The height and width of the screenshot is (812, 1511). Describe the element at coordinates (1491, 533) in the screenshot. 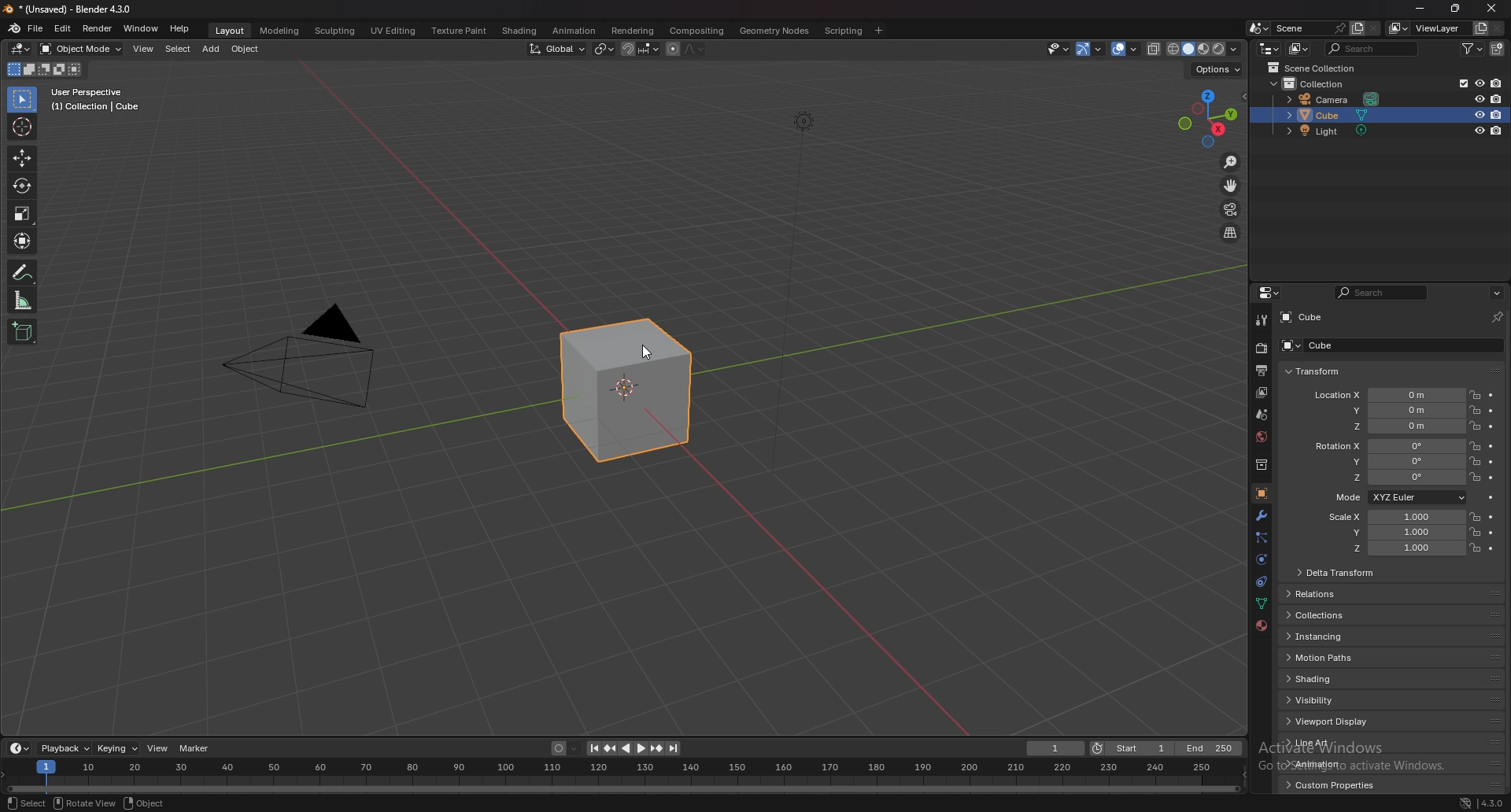

I see `animate property` at that location.